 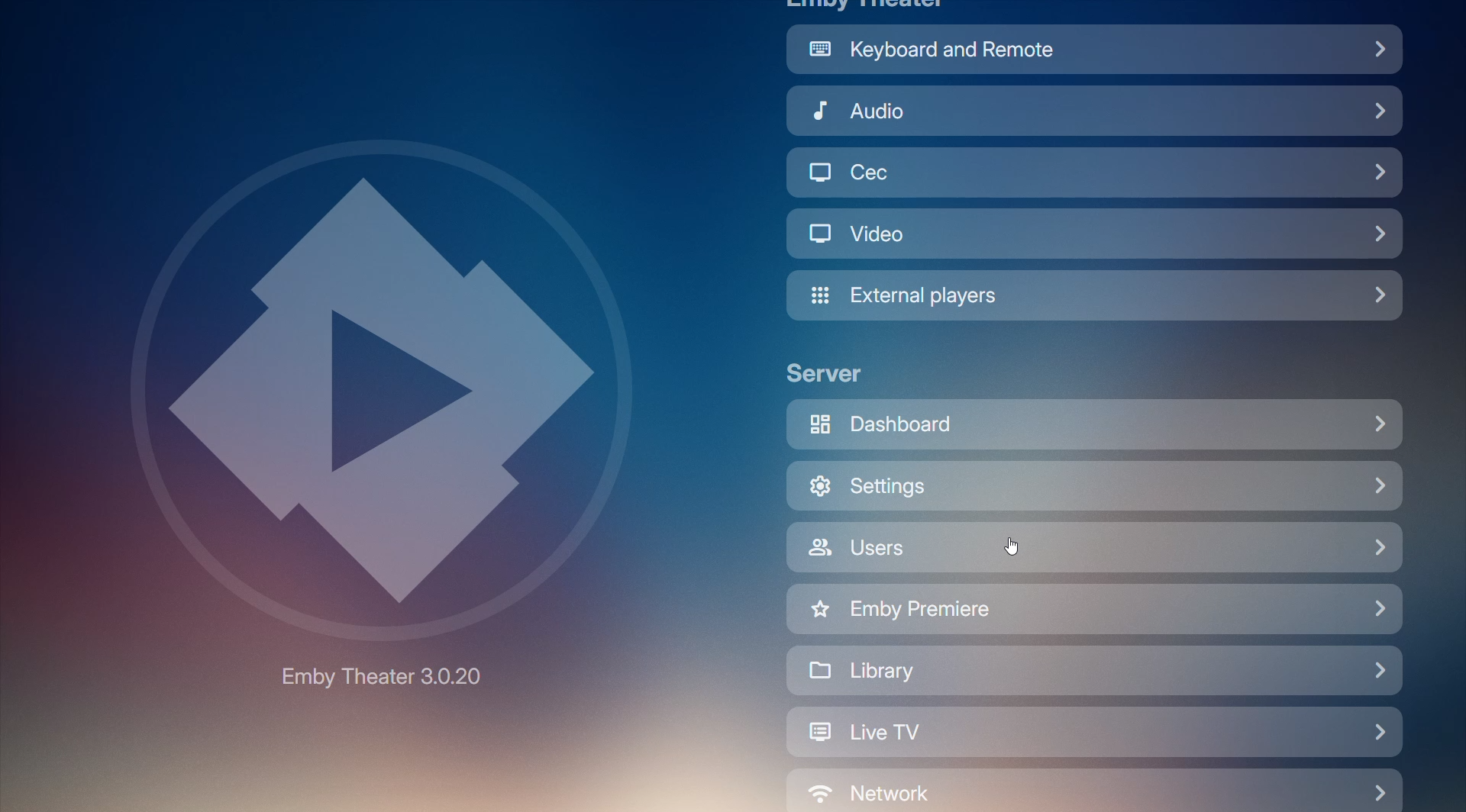 What do you see at coordinates (1093, 172) in the screenshot?
I see `Cec` at bounding box center [1093, 172].